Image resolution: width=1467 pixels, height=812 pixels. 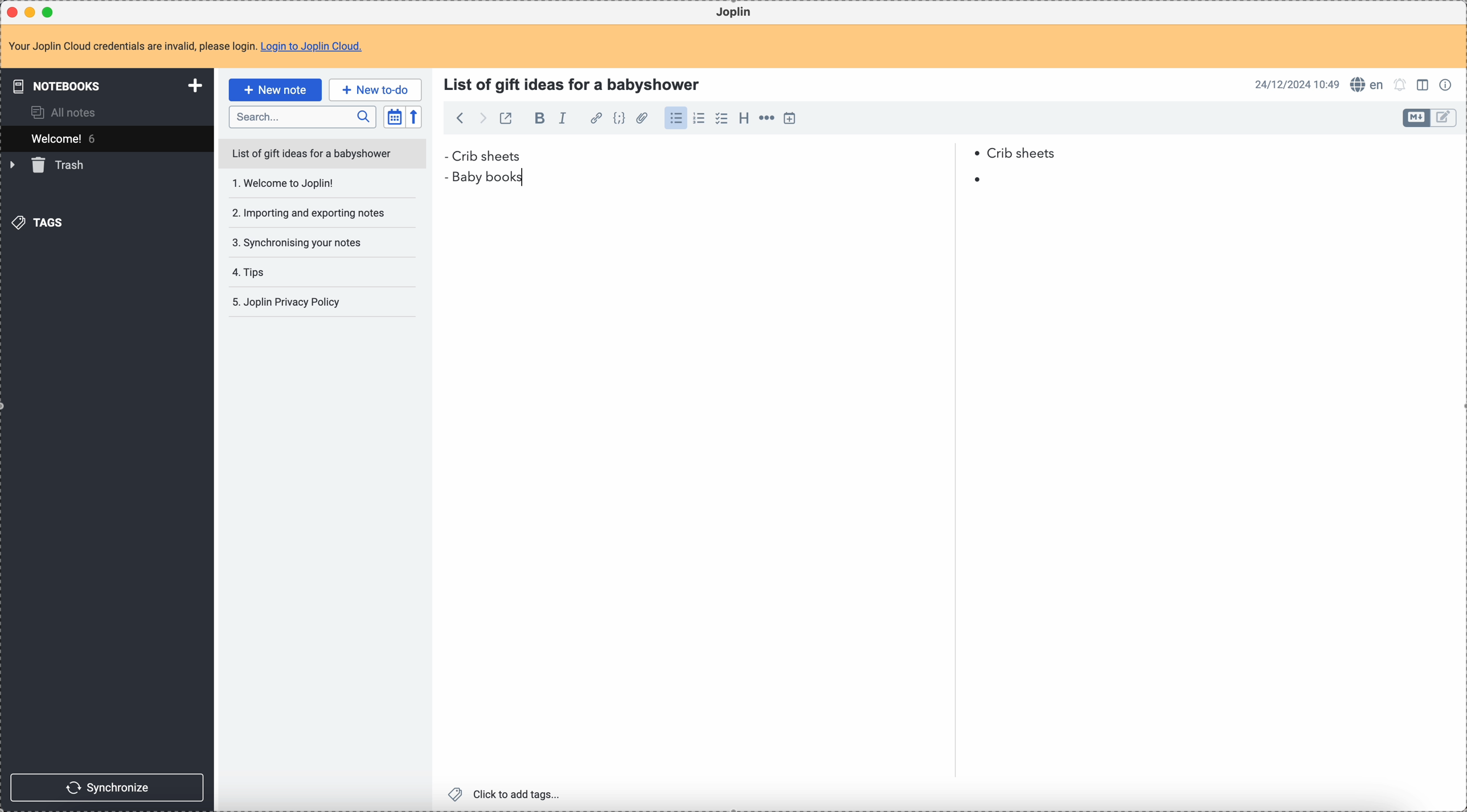 What do you see at coordinates (461, 118) in the screenshot?
I see `back` at bounding box center [461, 118].